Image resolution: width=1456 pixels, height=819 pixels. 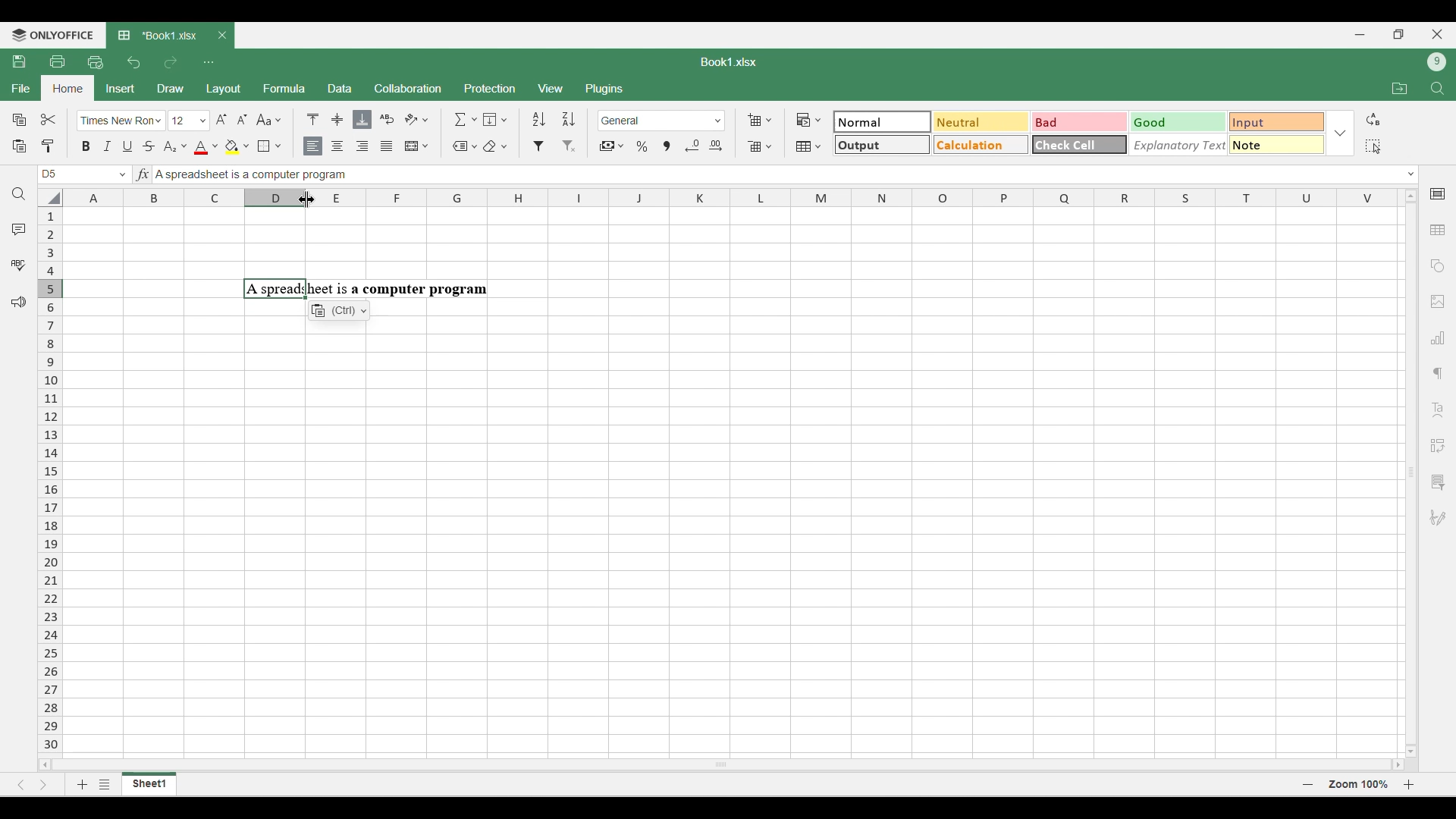 I want to click on Paragraph settings, so click(x=1438, y=374).